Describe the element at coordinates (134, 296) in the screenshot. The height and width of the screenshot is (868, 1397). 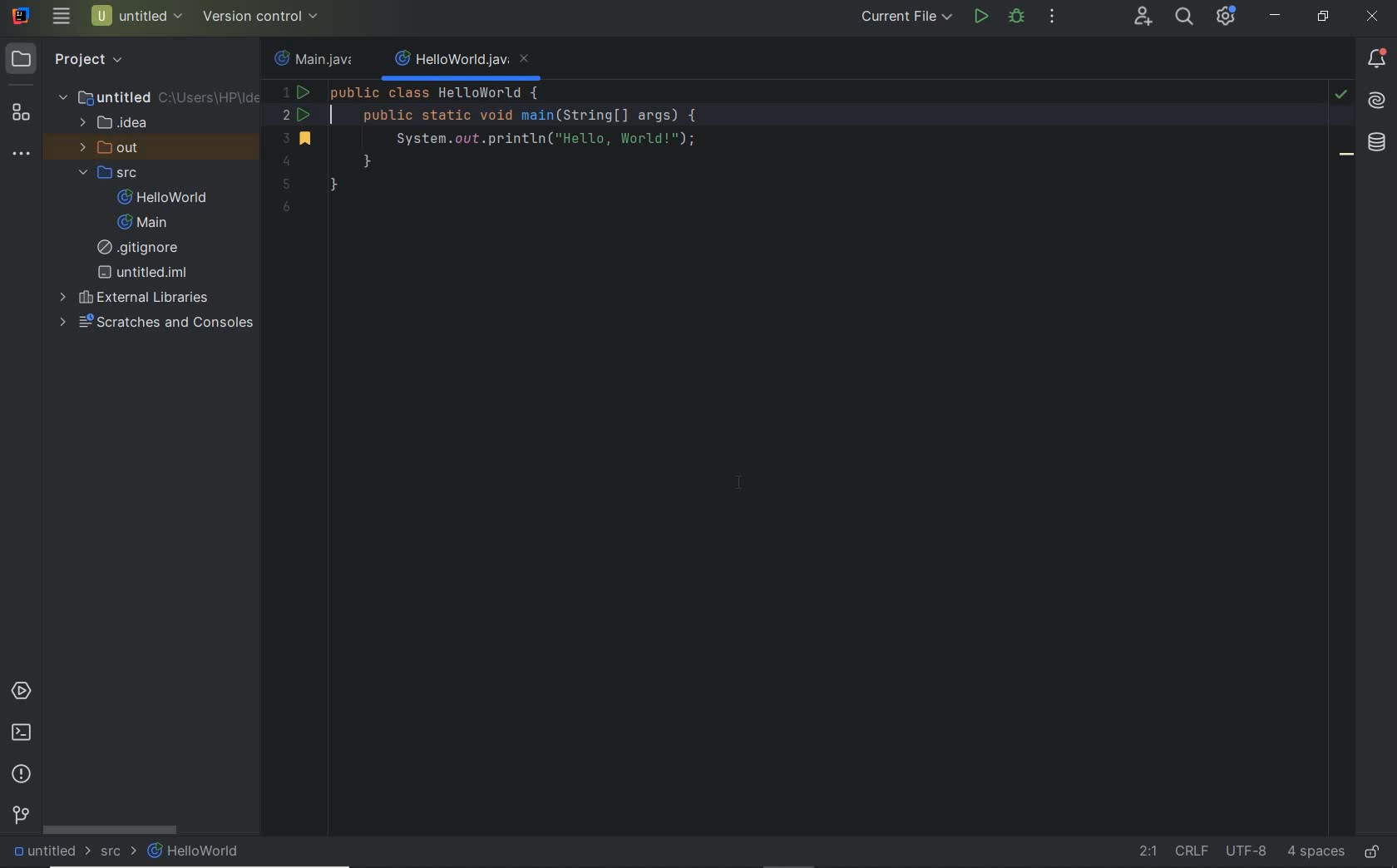
I see `external Libraries` at that location.